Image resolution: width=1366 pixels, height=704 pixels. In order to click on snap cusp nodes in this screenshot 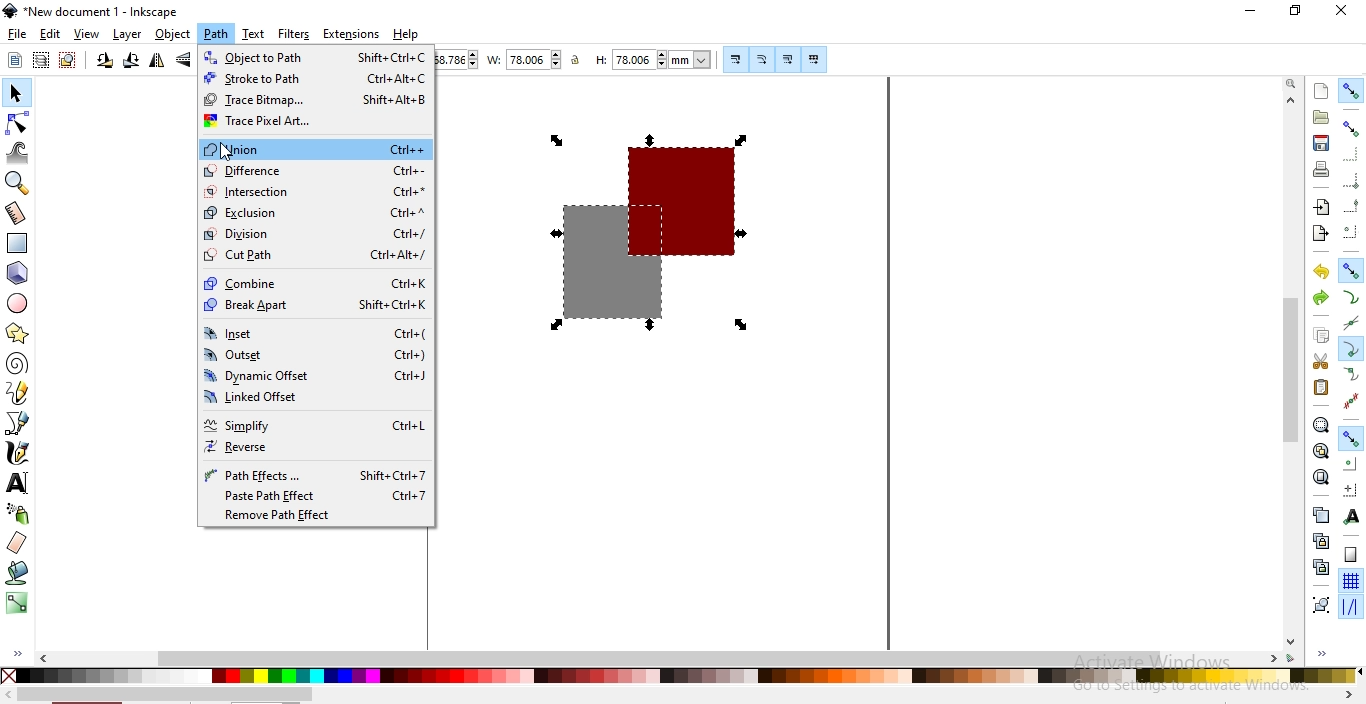, I will do `click(1352, 349)`.